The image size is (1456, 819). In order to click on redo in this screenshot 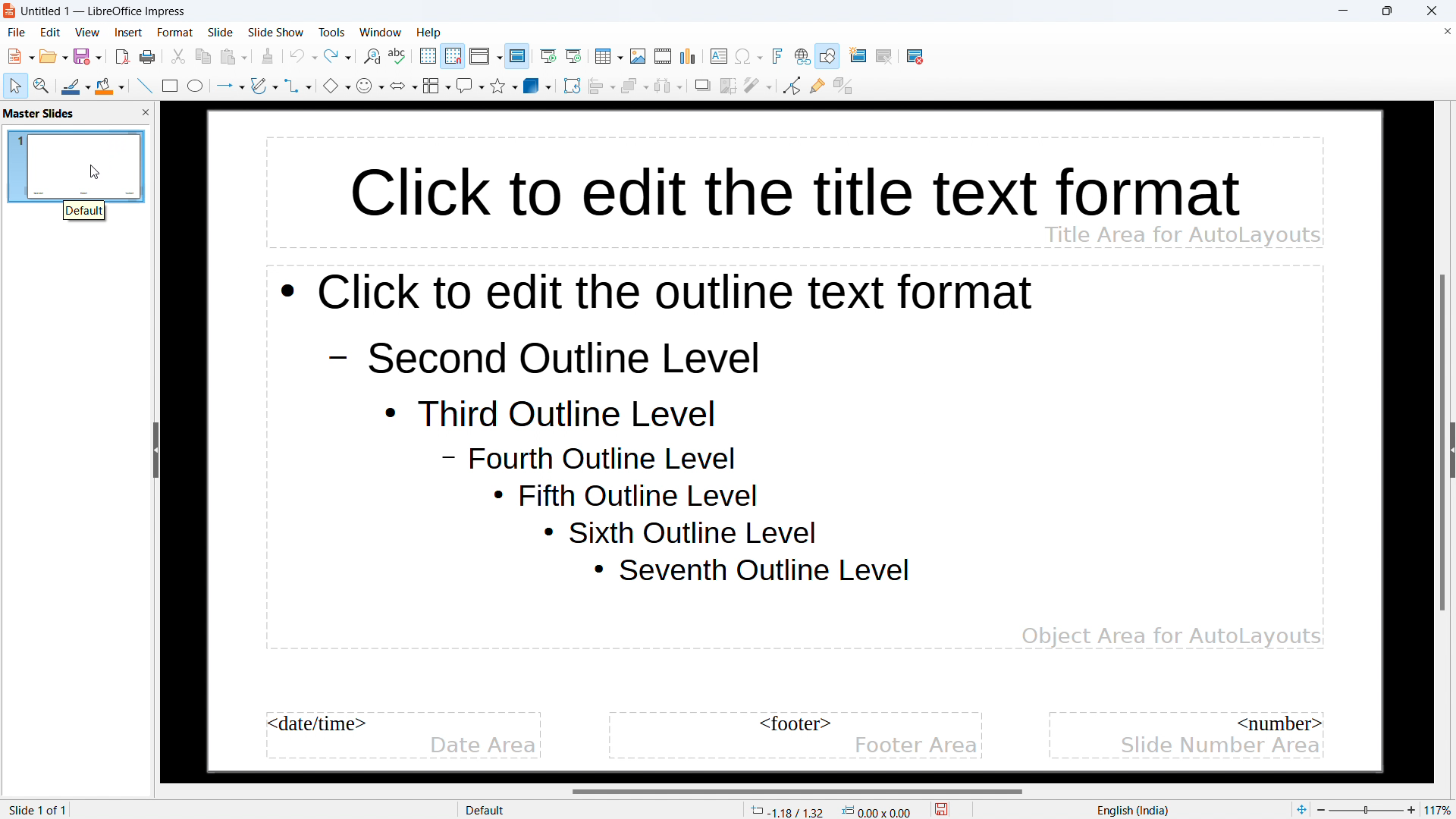, I will do `click(337, 56)`.